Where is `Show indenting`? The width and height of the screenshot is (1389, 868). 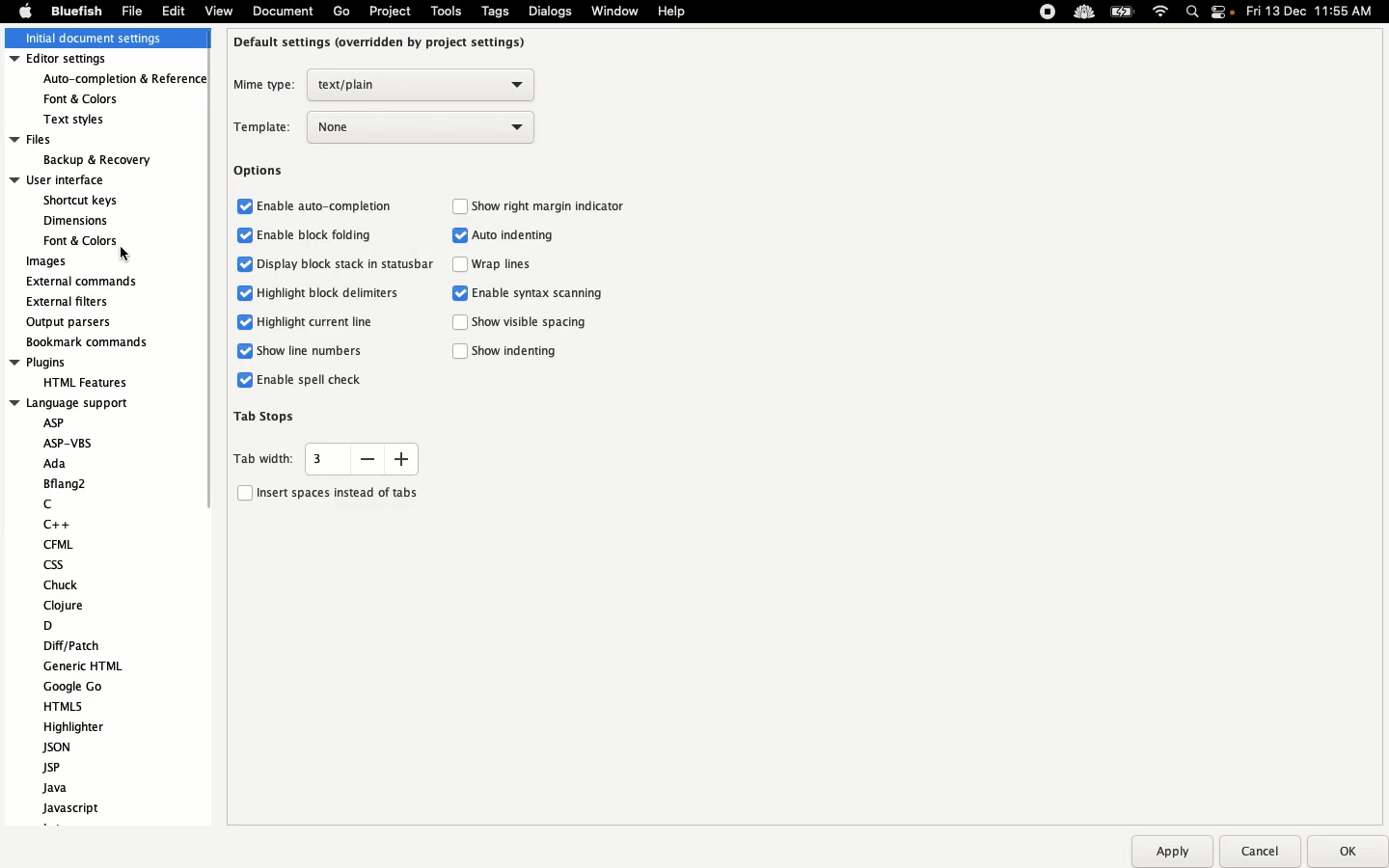 Show indenting is located at coordinates (511, 352).